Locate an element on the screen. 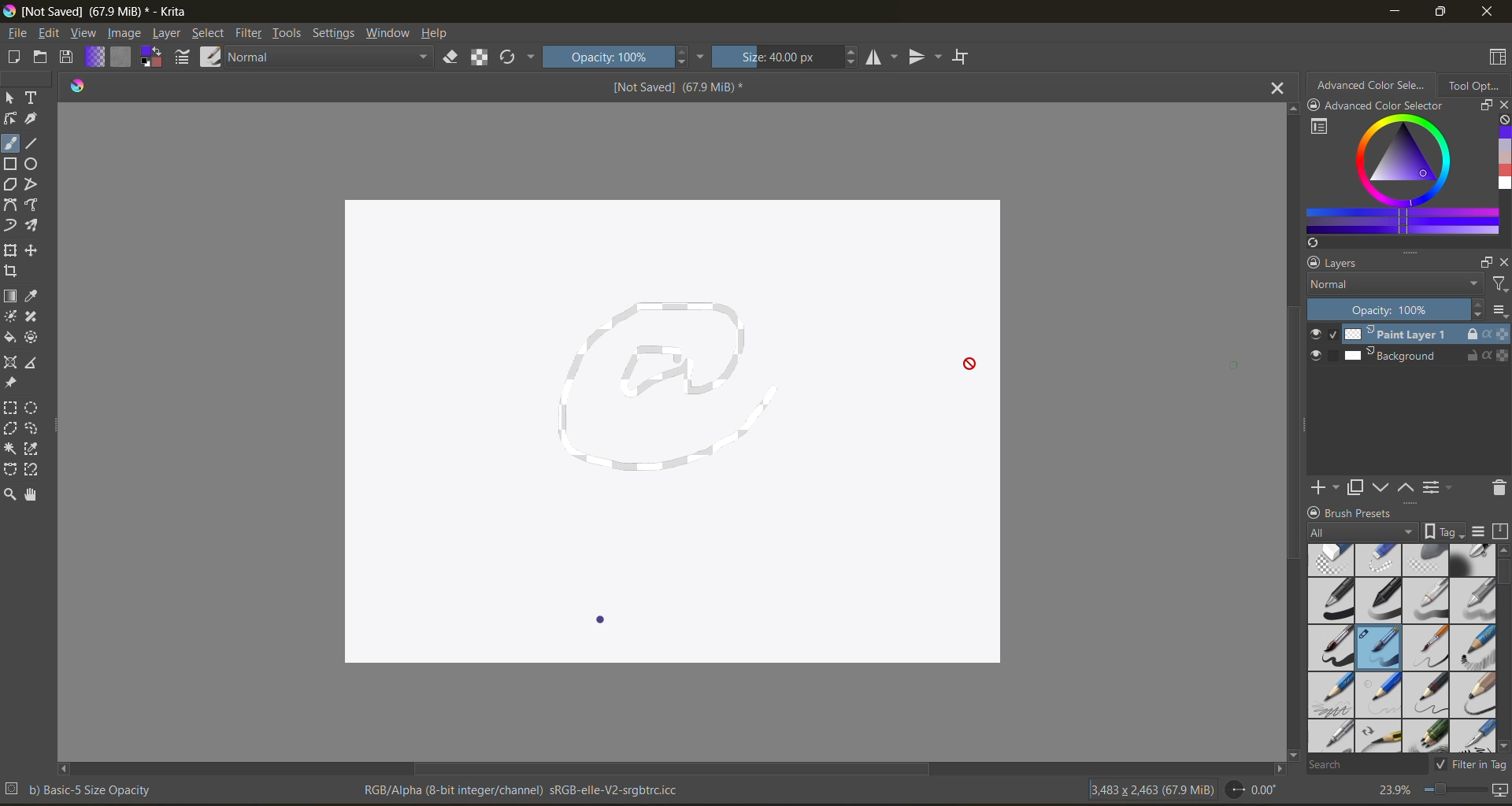 The height and width of the screenshot is (806, 1512). normal is located at coordinates (331, 57).